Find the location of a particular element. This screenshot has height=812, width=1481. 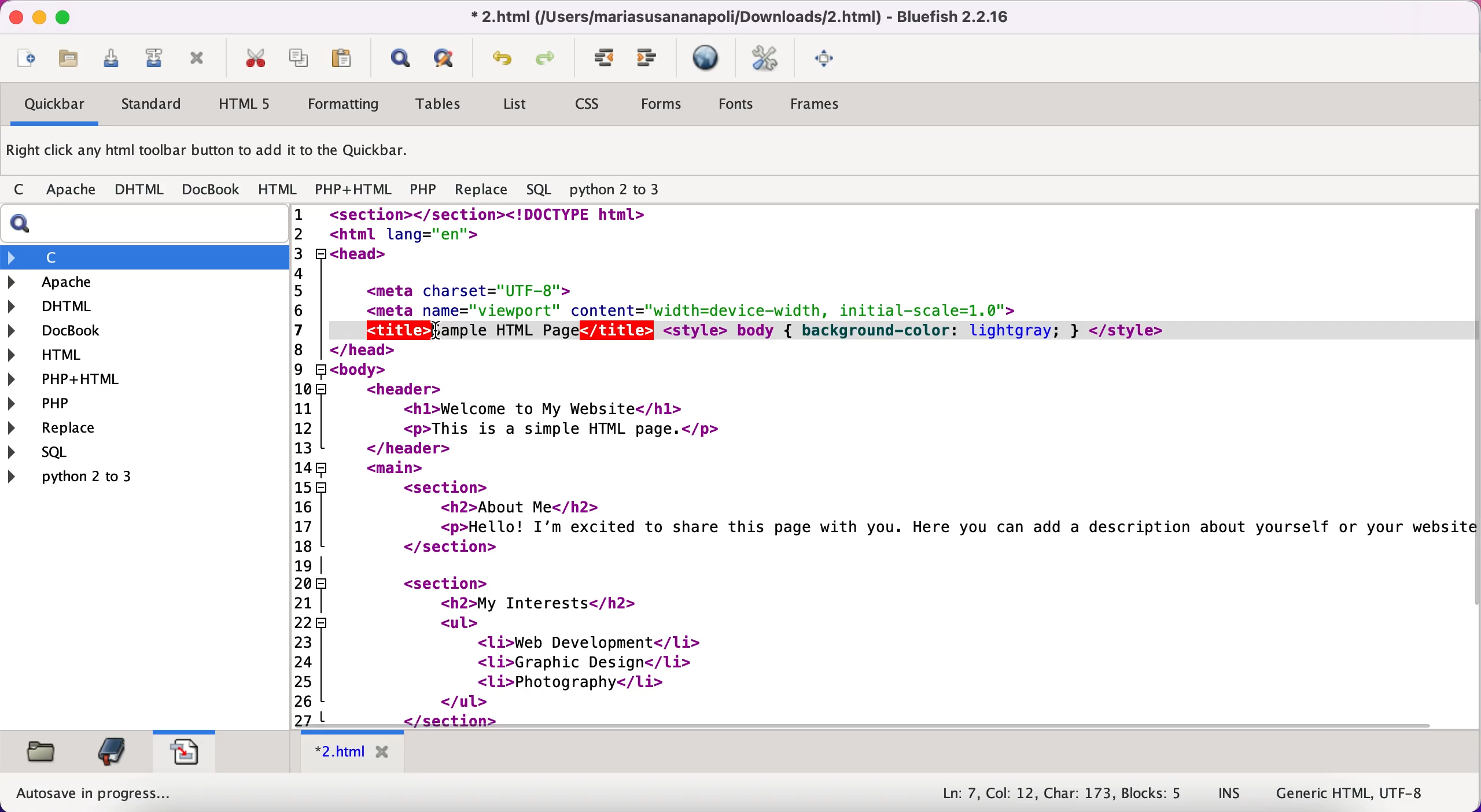

html5 is located at coordinates (242, 104).